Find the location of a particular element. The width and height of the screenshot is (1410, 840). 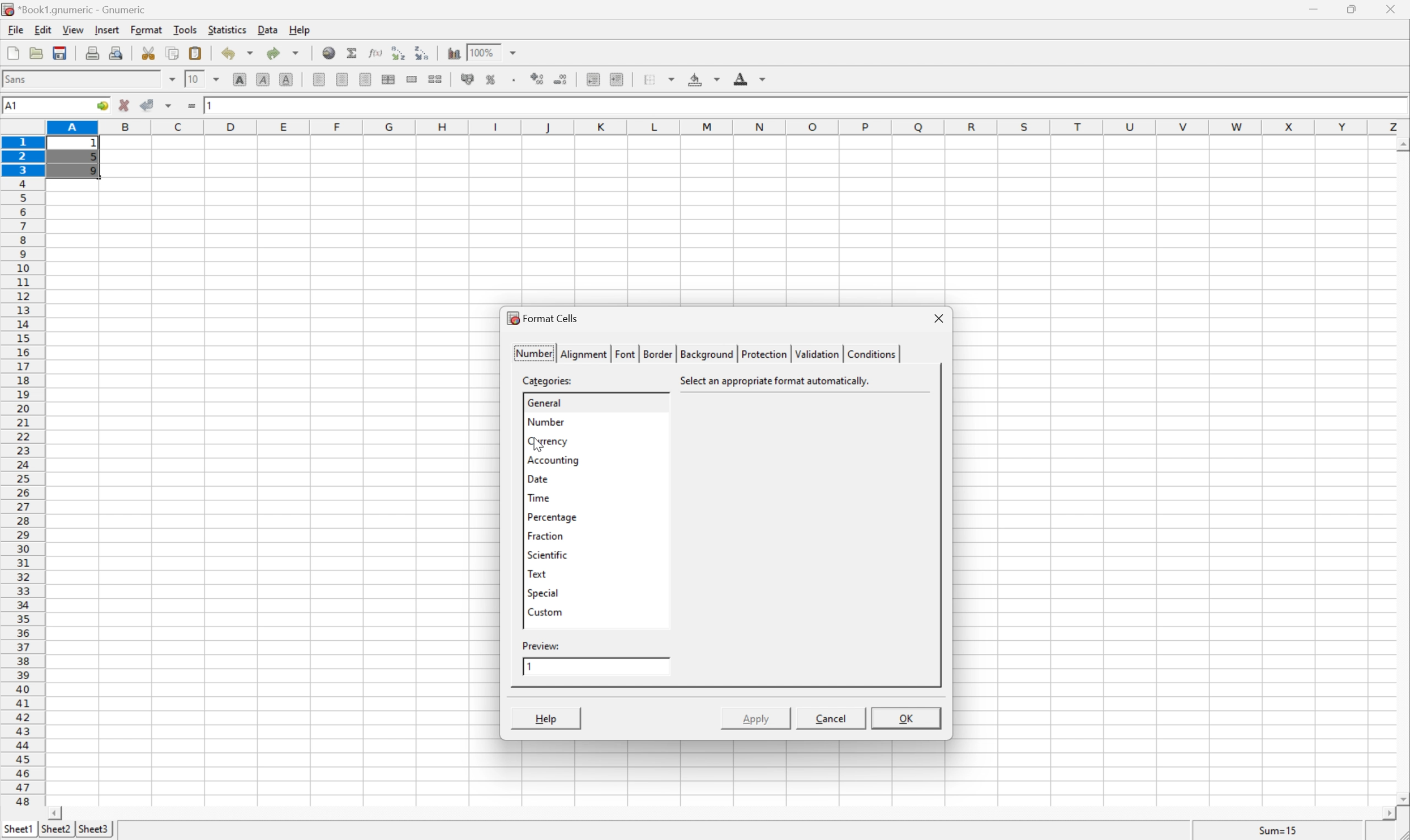

help is located at coordinates (546, 718).